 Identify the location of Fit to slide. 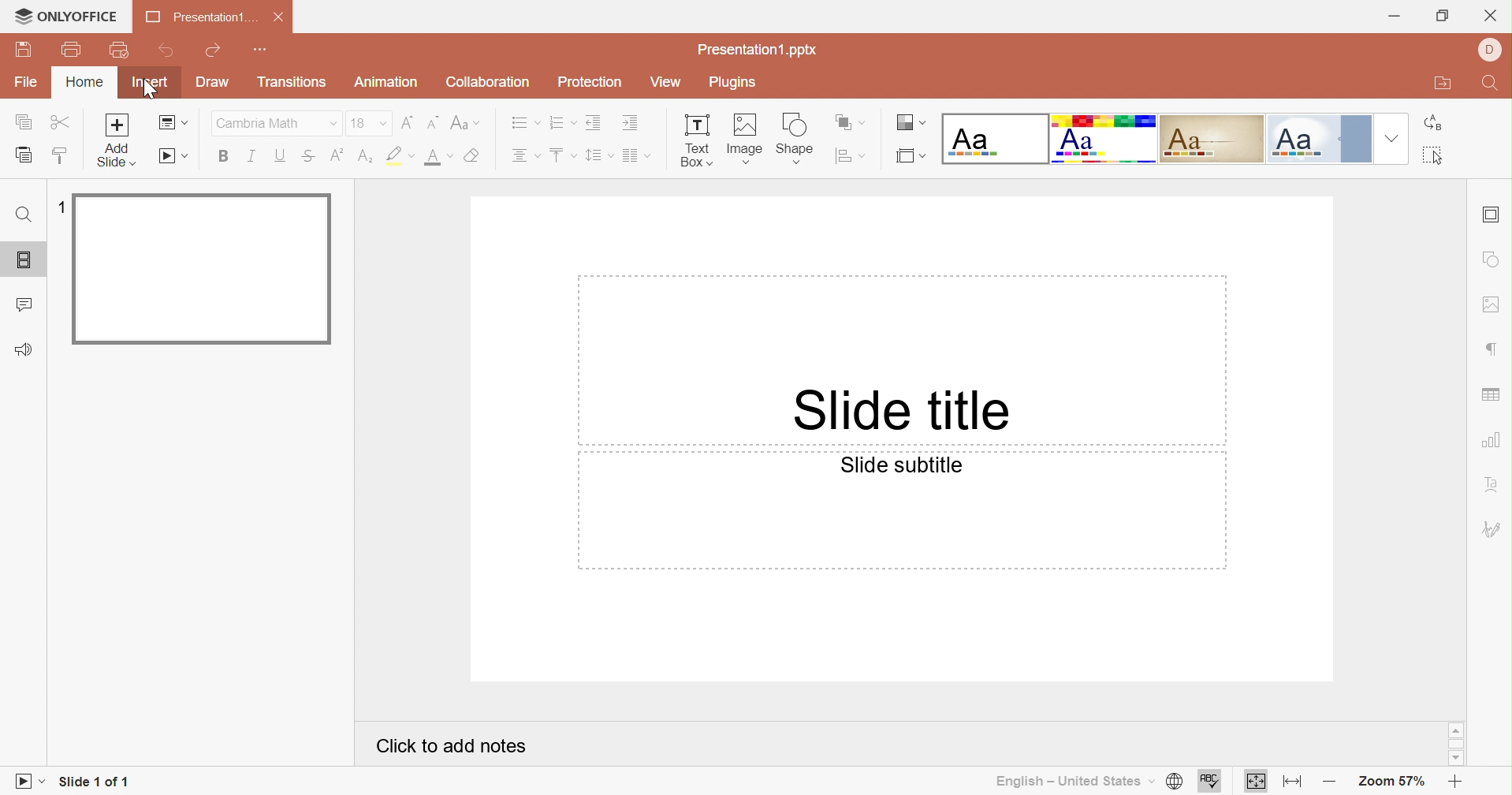
(1258, 782).